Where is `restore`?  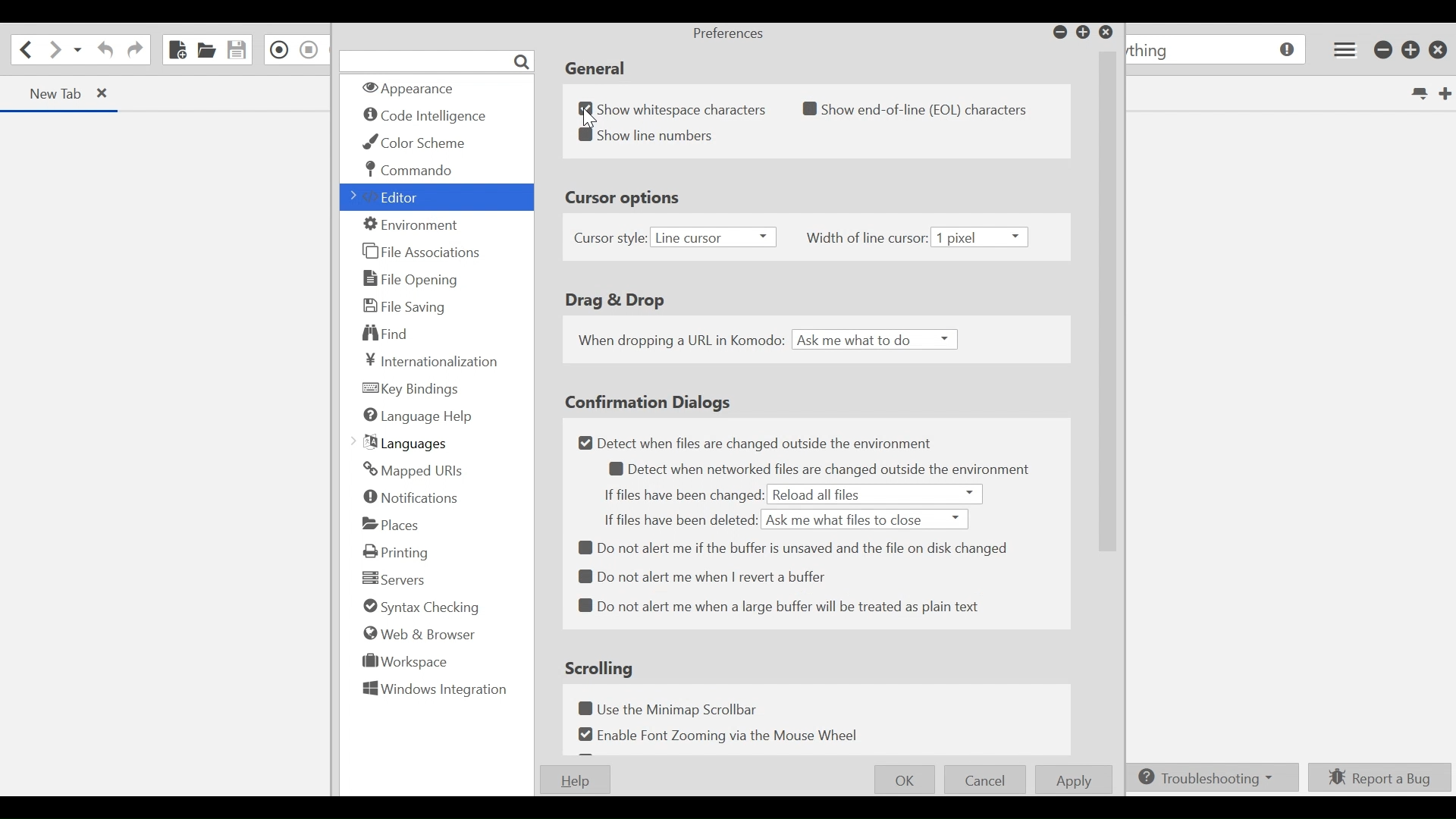 restore is located at coordinates (1084, 33).